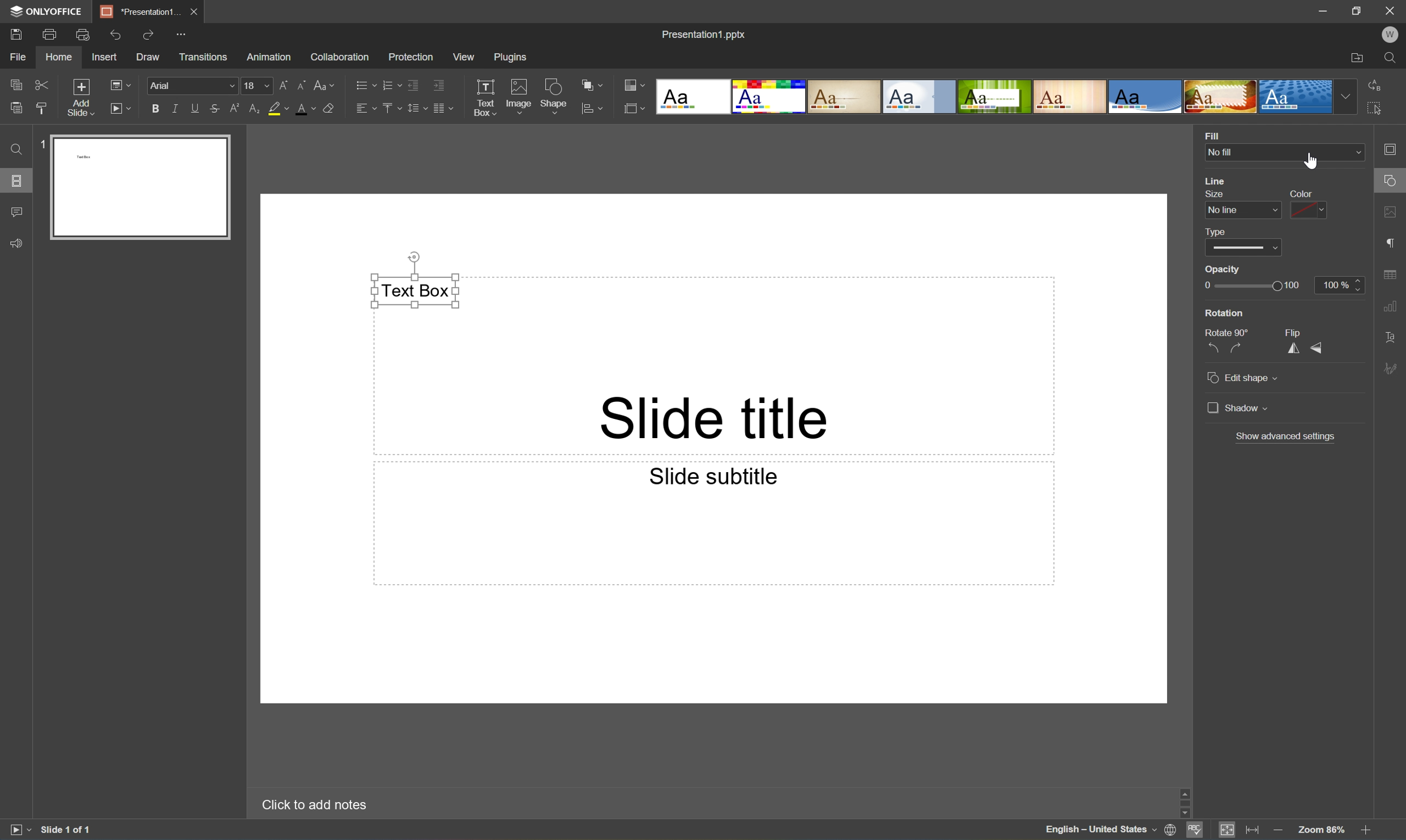 The image size is (1406, 840). I want to click on Shape settings, so click(1392, 181).